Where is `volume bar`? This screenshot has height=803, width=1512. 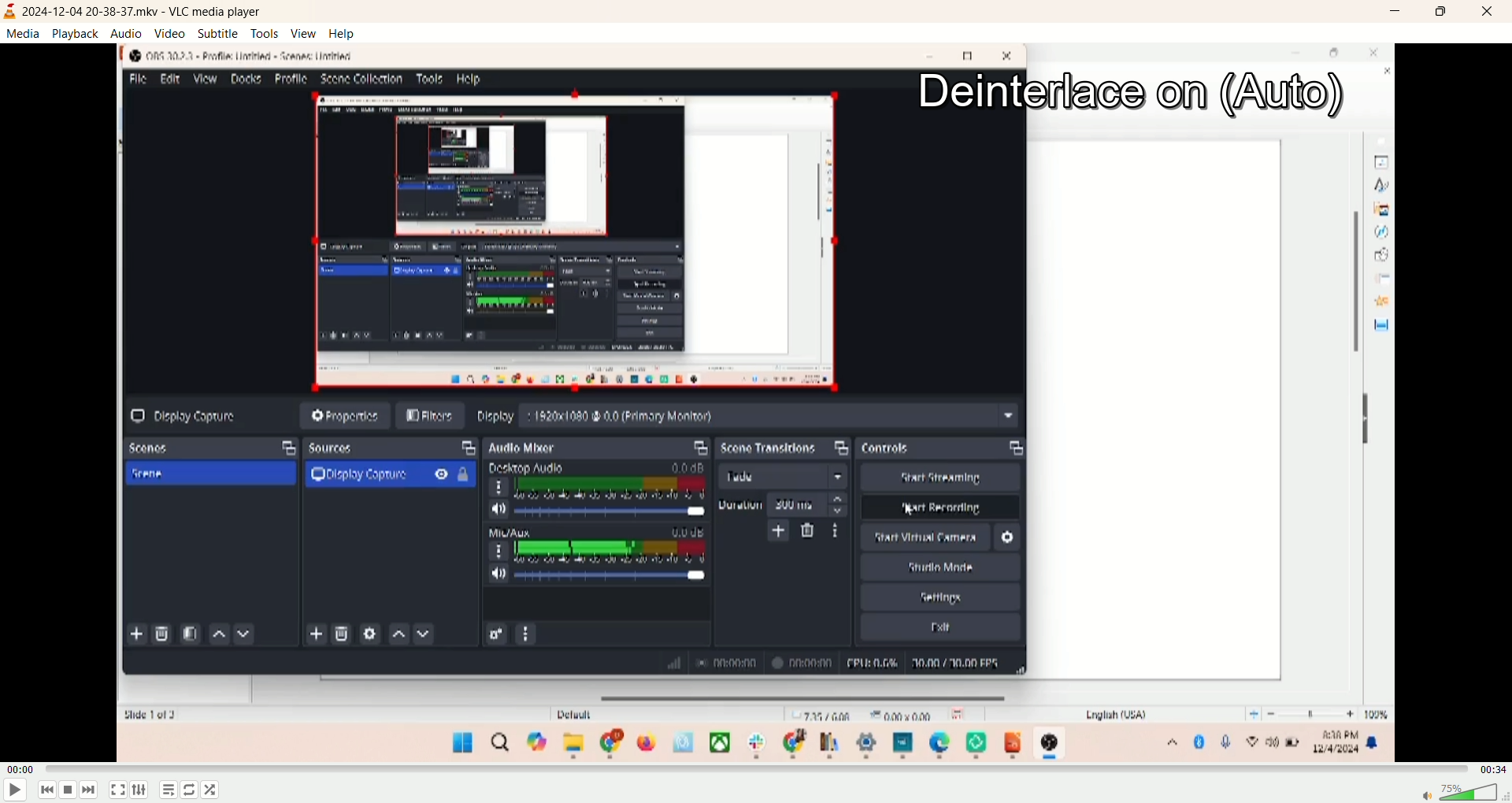
volume bar is located at coordinates (1462, 792).